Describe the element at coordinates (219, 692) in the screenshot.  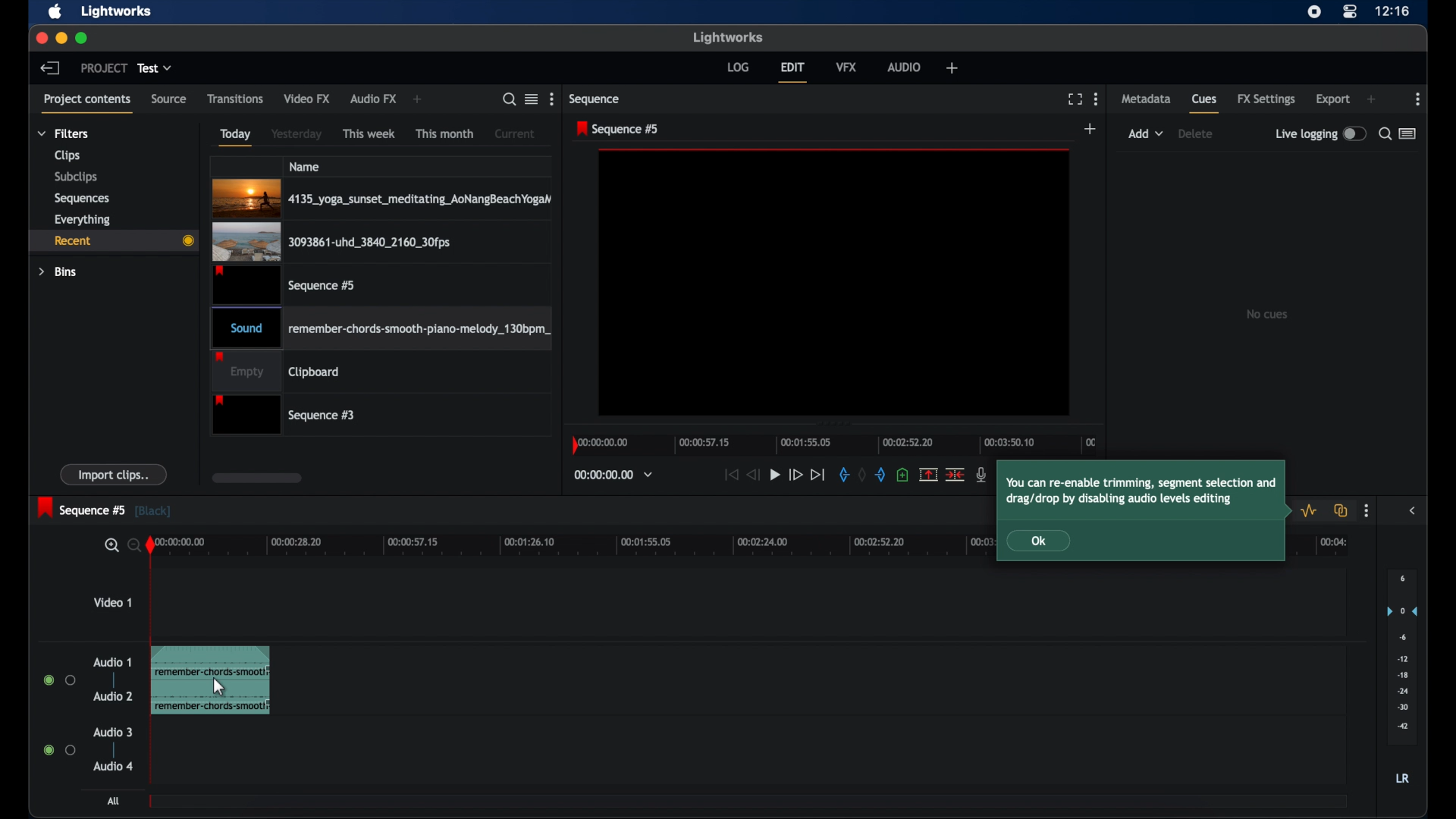
I see `drag cursor` at that location.